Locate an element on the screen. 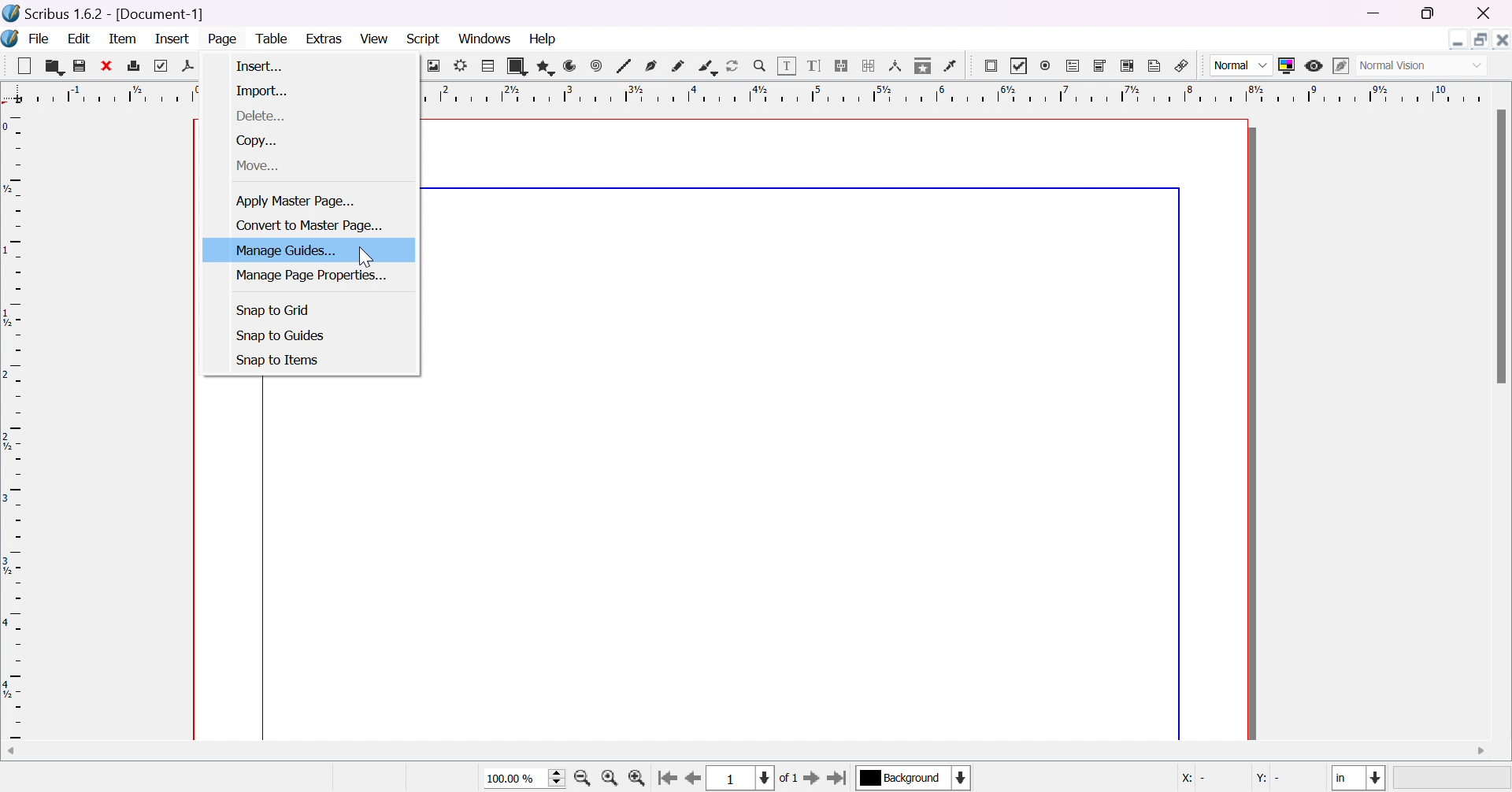  PDF combo box is located at coordinates (1100, 67).